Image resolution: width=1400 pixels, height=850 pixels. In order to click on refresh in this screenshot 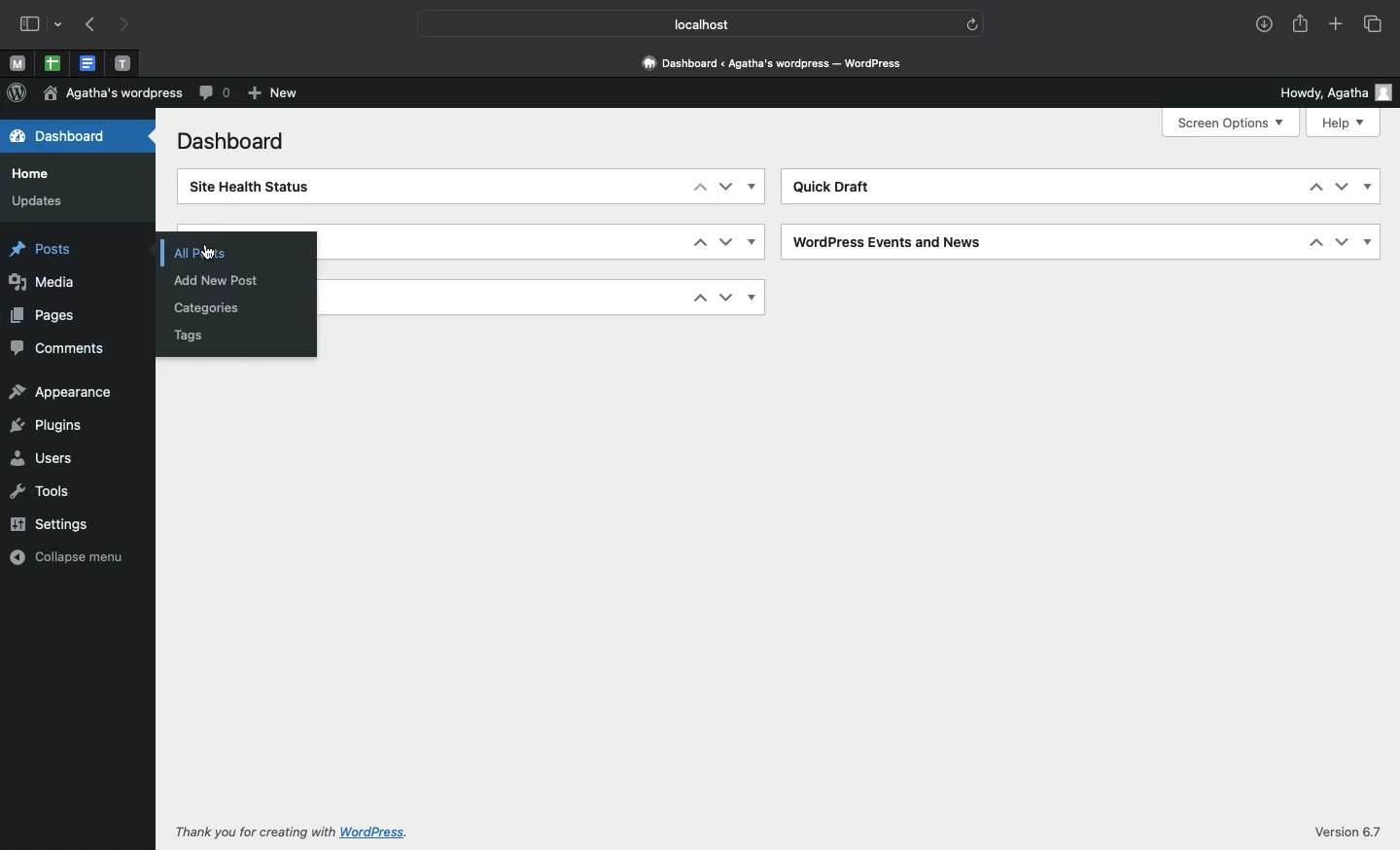, I will do `click(975, 21)`.